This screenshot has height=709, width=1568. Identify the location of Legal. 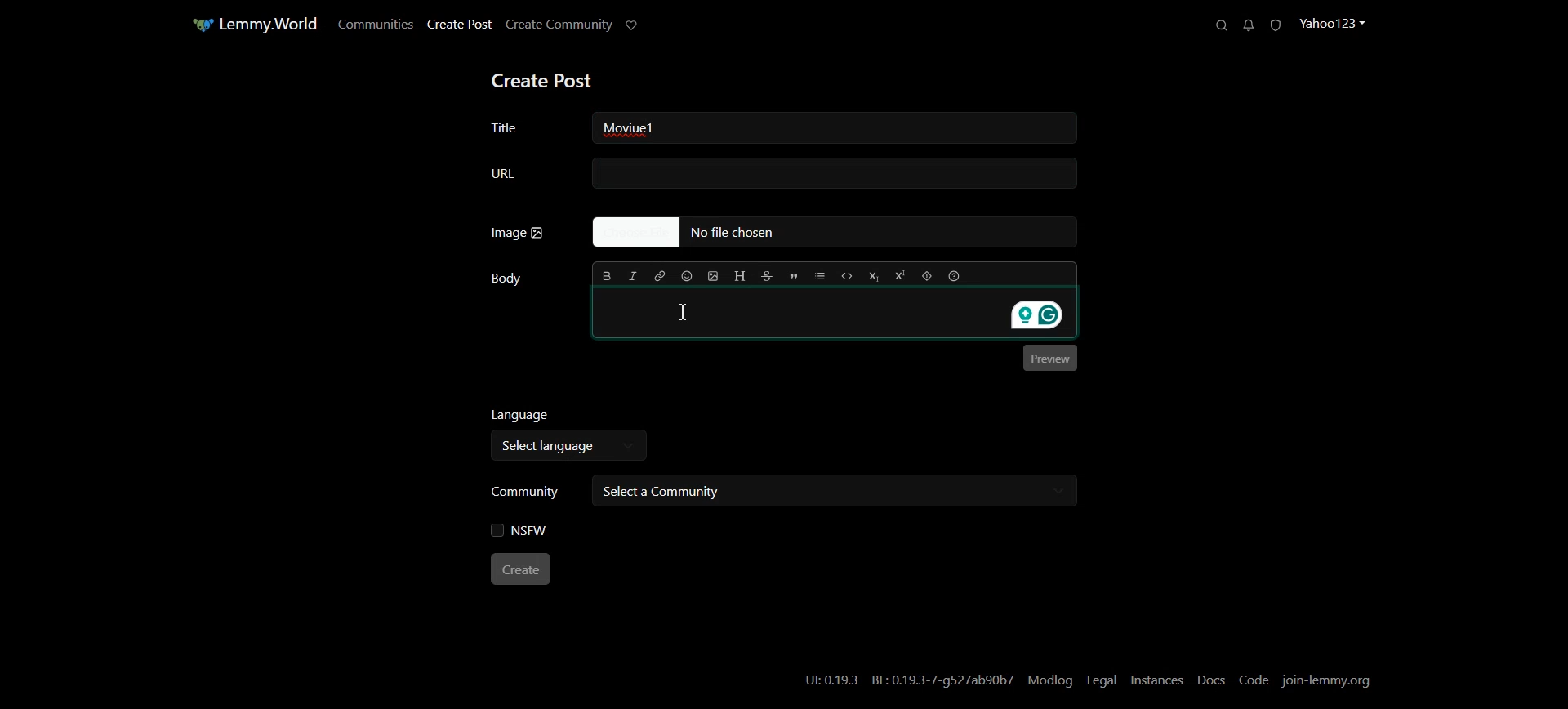
(1101, 680).